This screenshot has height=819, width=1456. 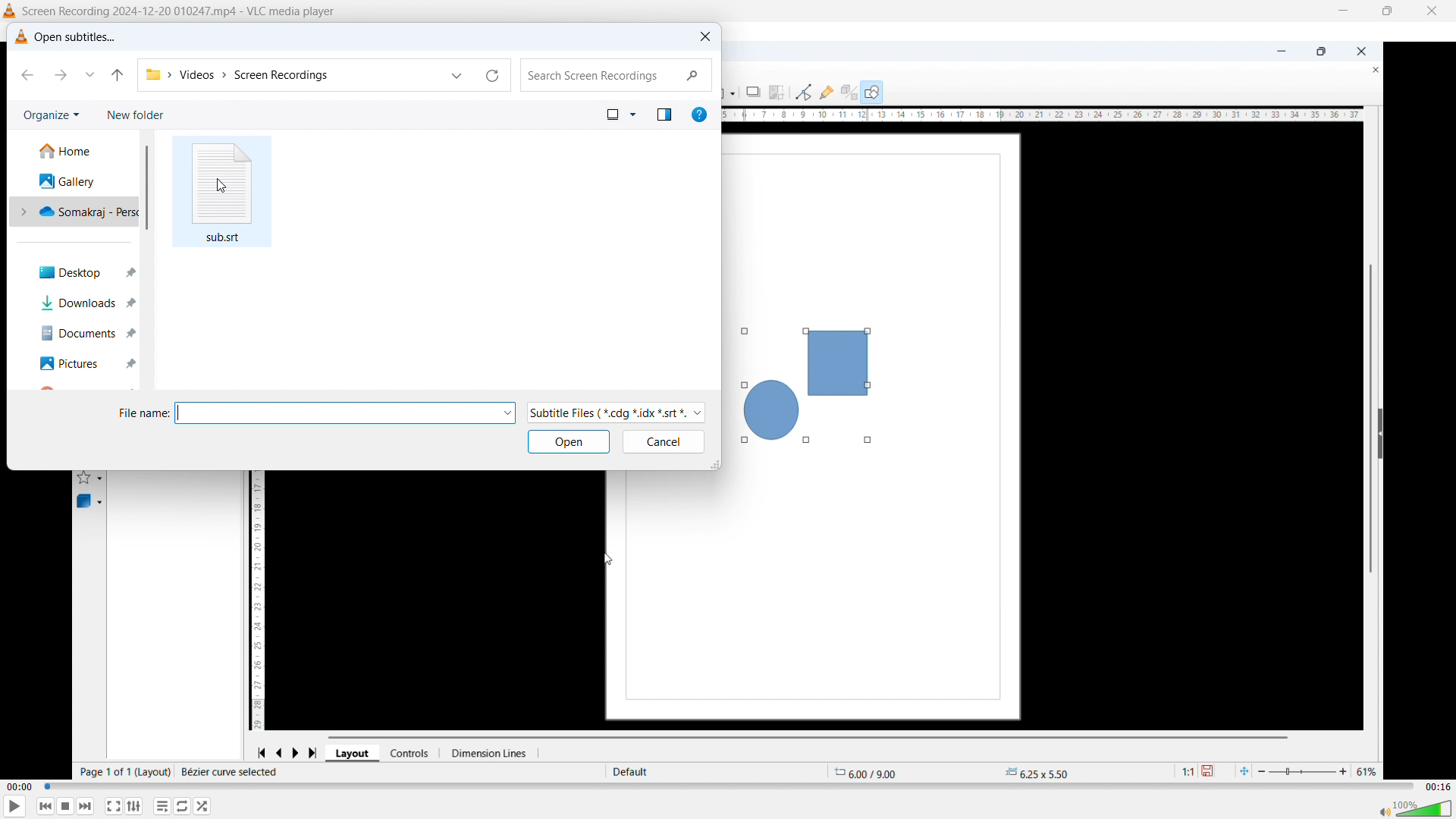 What do you see at coordinates (1369, 71) in the screenshot?
I see `close` at bounding box center [1369, 71].